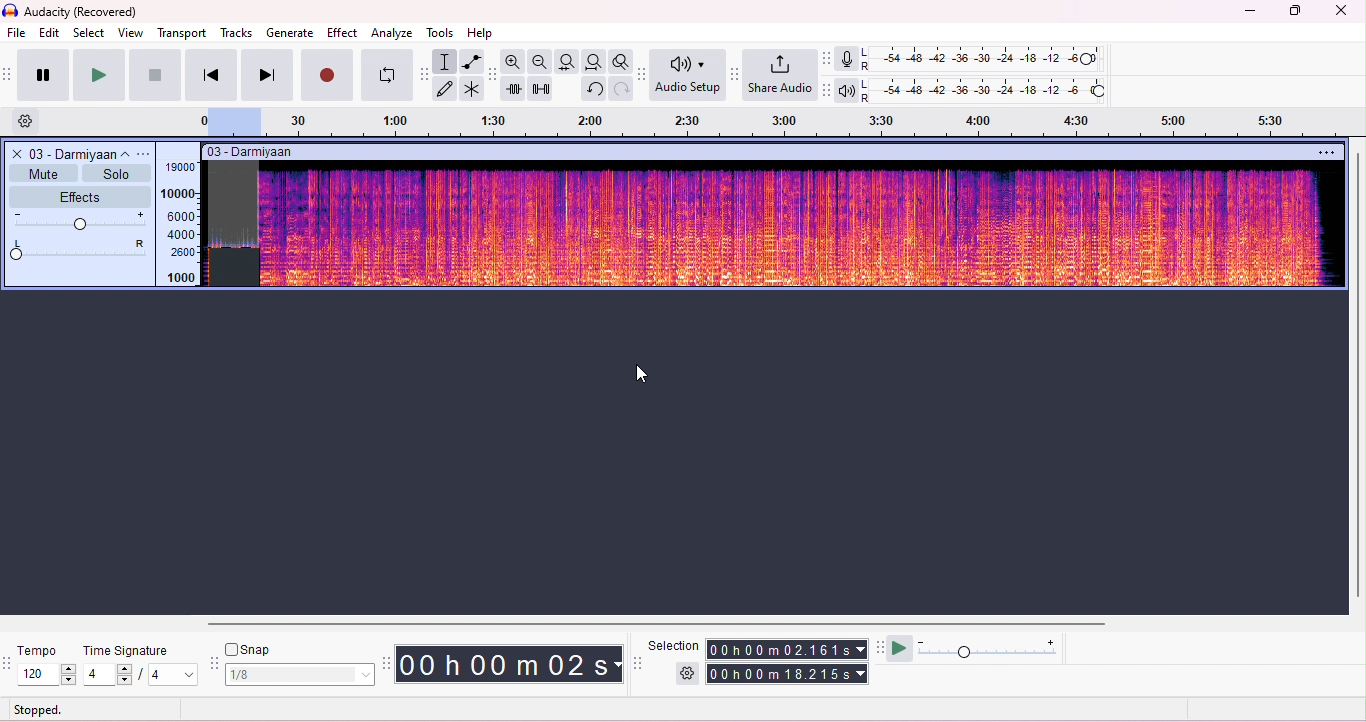 This screenshot has height=722, width=1366. What do you see at coordinates (31, 122) in the screenshot?
I see `settings` at bounding box center [31, 122].